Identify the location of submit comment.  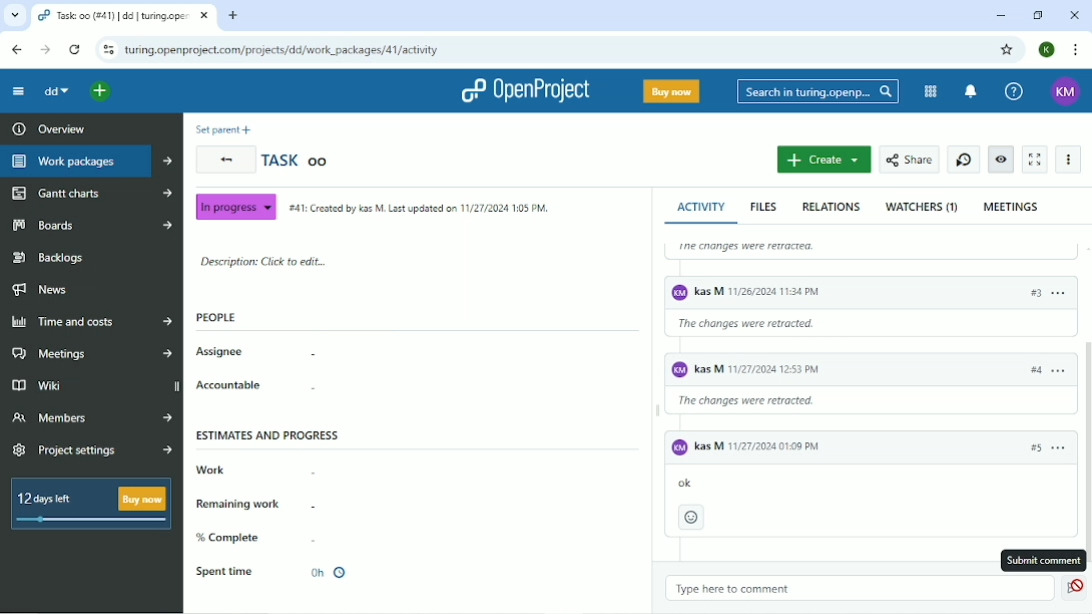
(1069, 589).